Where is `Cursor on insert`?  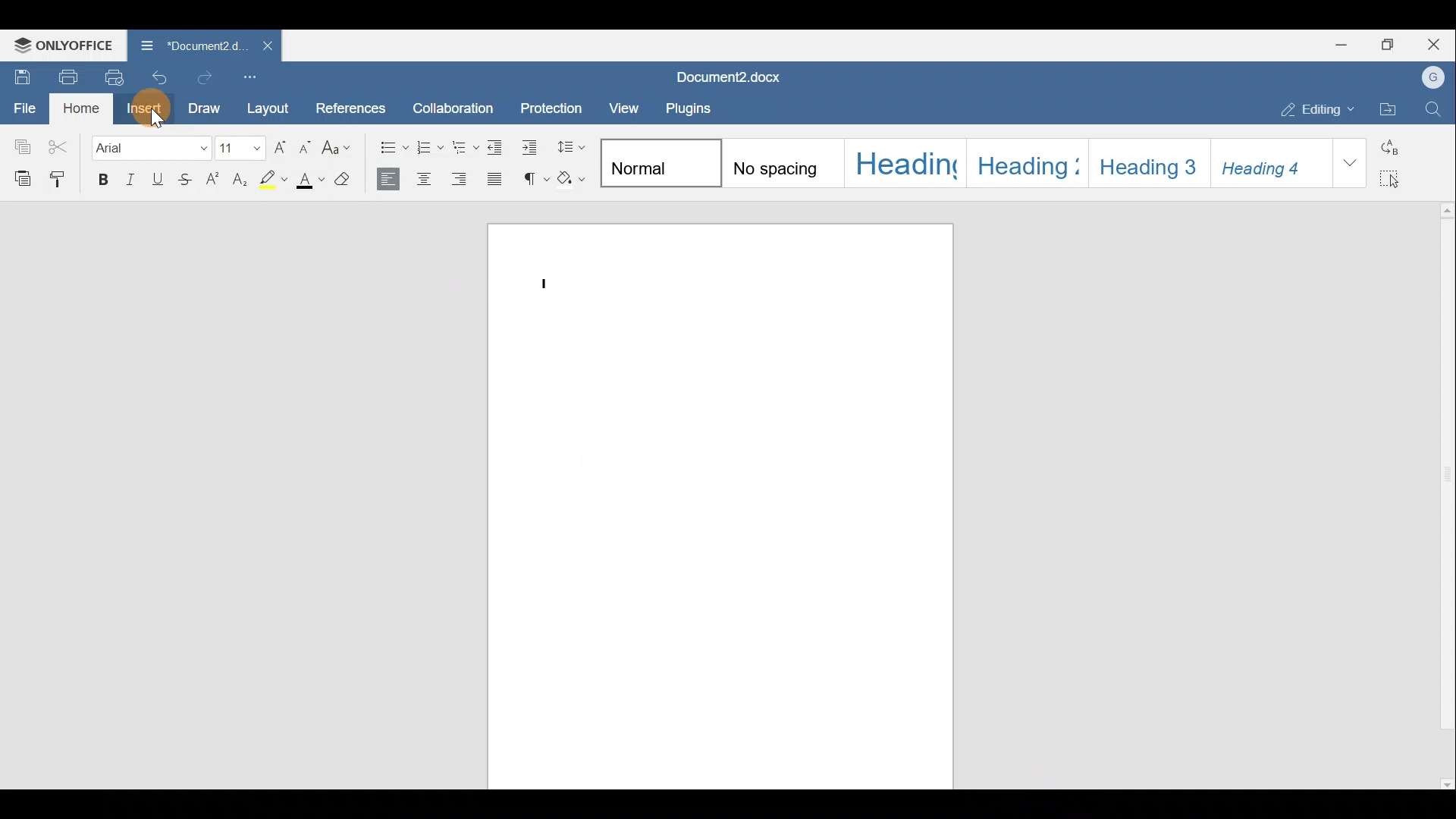 Cursor on insert is located at coordinates (156, 113).